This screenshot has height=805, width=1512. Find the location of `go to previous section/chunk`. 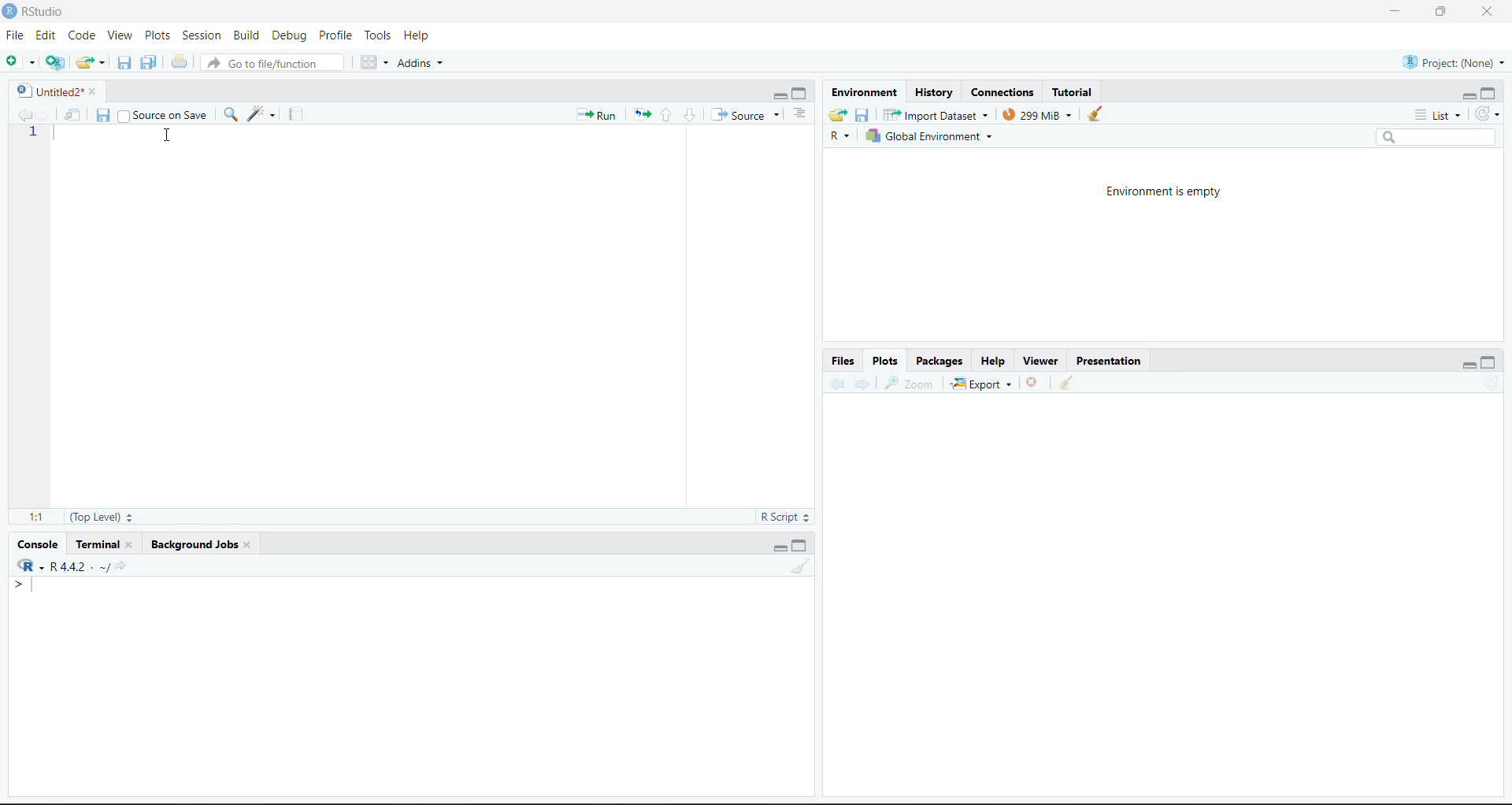

go to previous section/chunk is located at coordinates (665, 116).